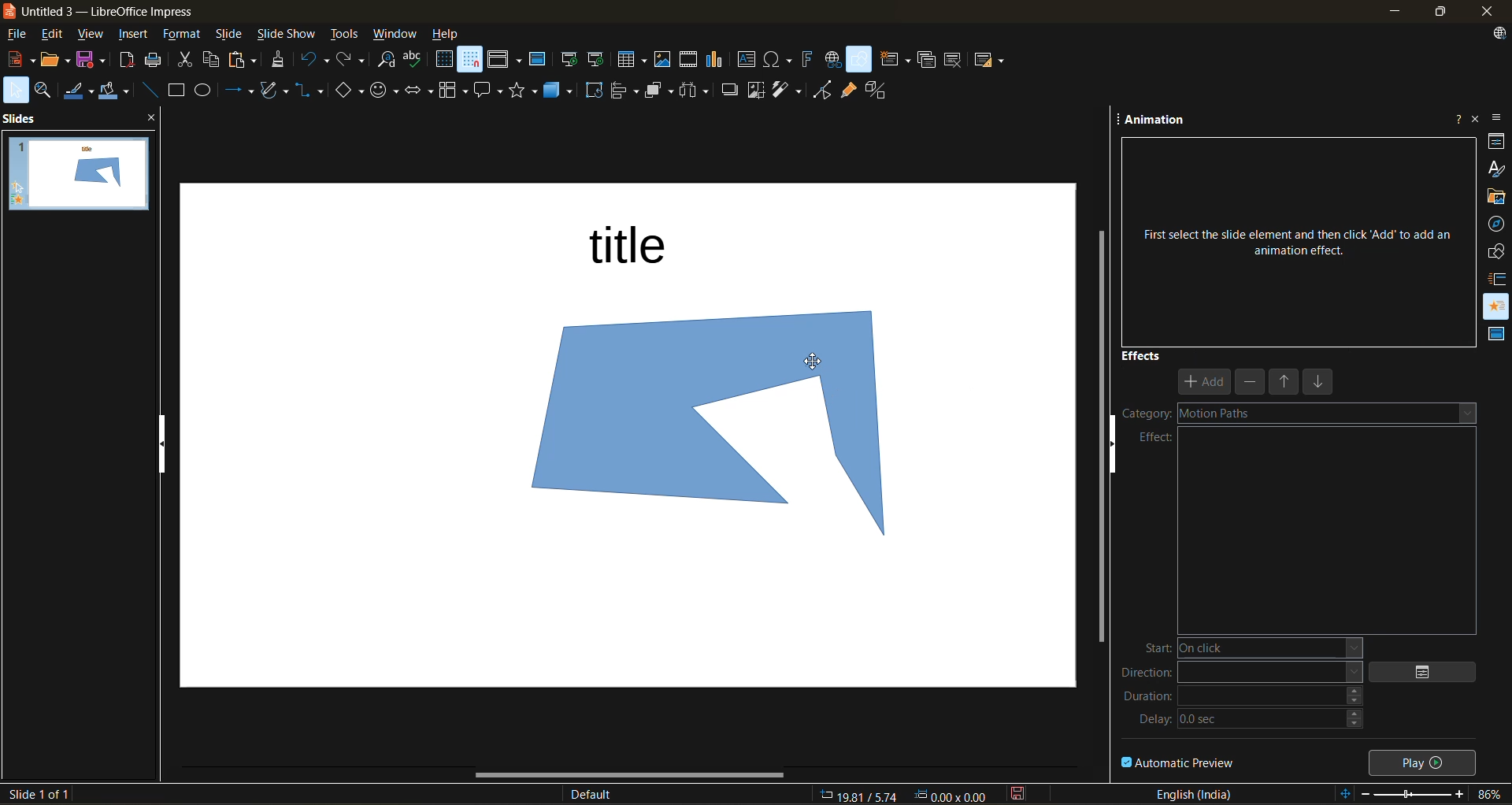 This screenshot has width=1512, height=805. Describe the element at coordinates (654, 94) in the screenshot. I see `arrange` at that location.